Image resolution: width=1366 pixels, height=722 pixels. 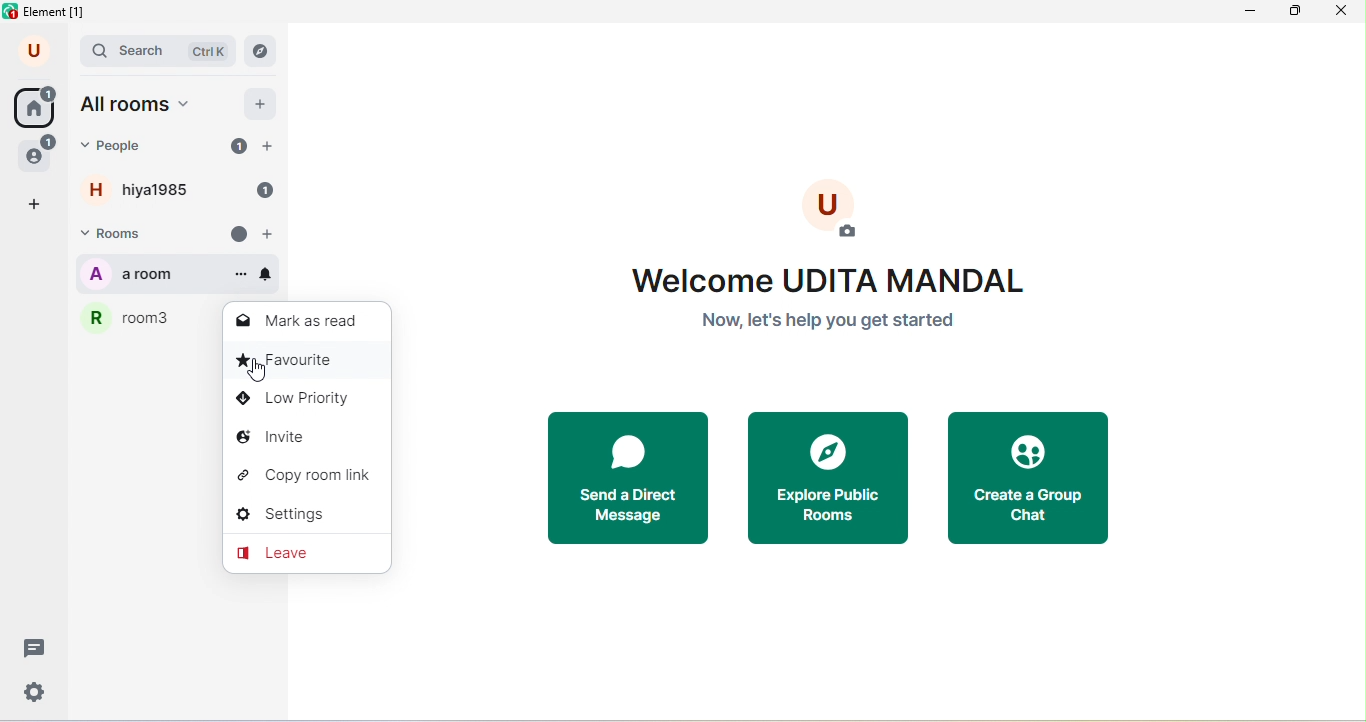 I want to click on leave, so click(x=305, y=553).